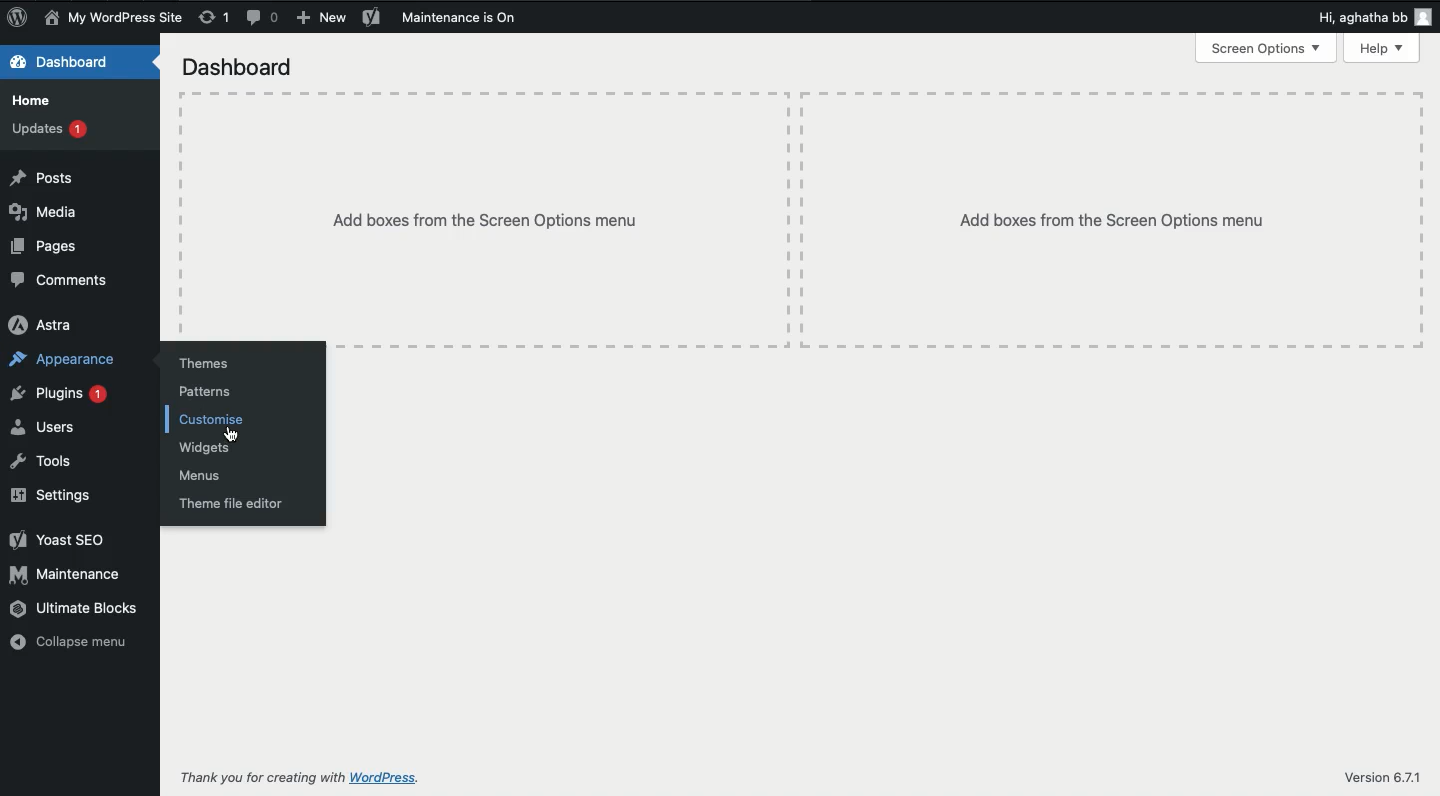 The image size is (1440, 796). I want to click on Yoast , so click(57, 541).